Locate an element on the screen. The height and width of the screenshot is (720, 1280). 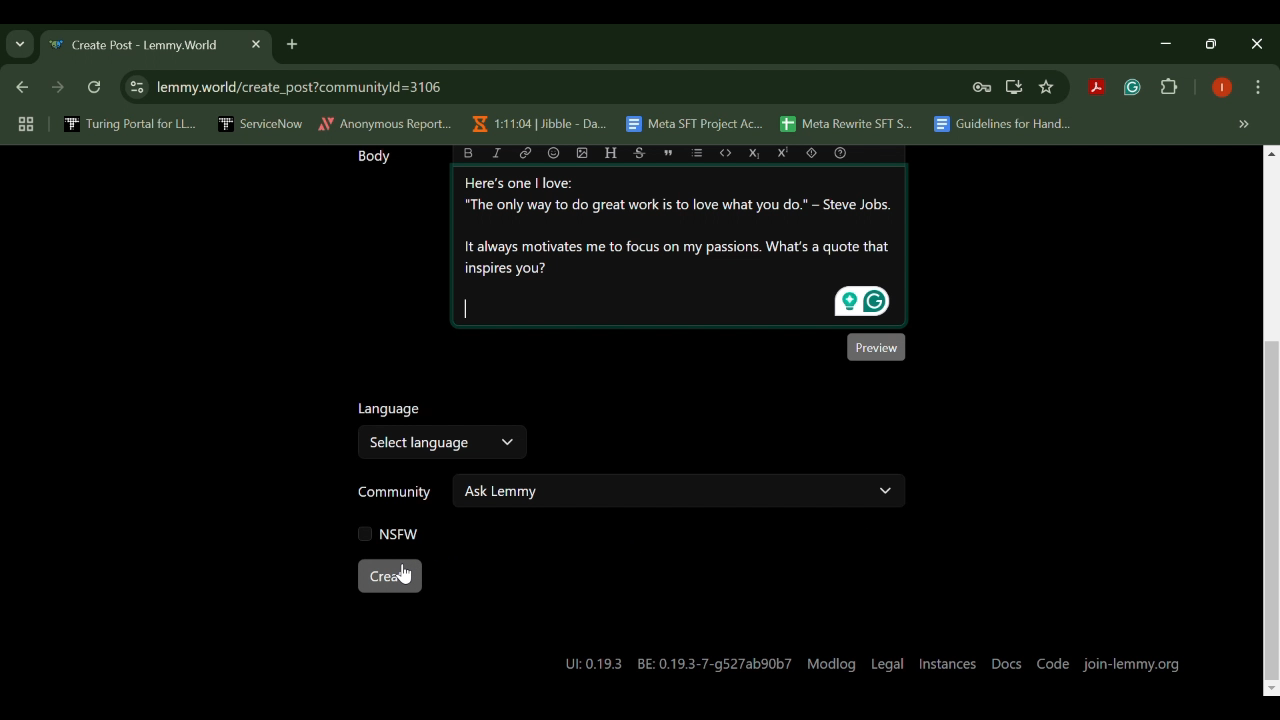
Tab Groups is located at coordinates (23, 125).